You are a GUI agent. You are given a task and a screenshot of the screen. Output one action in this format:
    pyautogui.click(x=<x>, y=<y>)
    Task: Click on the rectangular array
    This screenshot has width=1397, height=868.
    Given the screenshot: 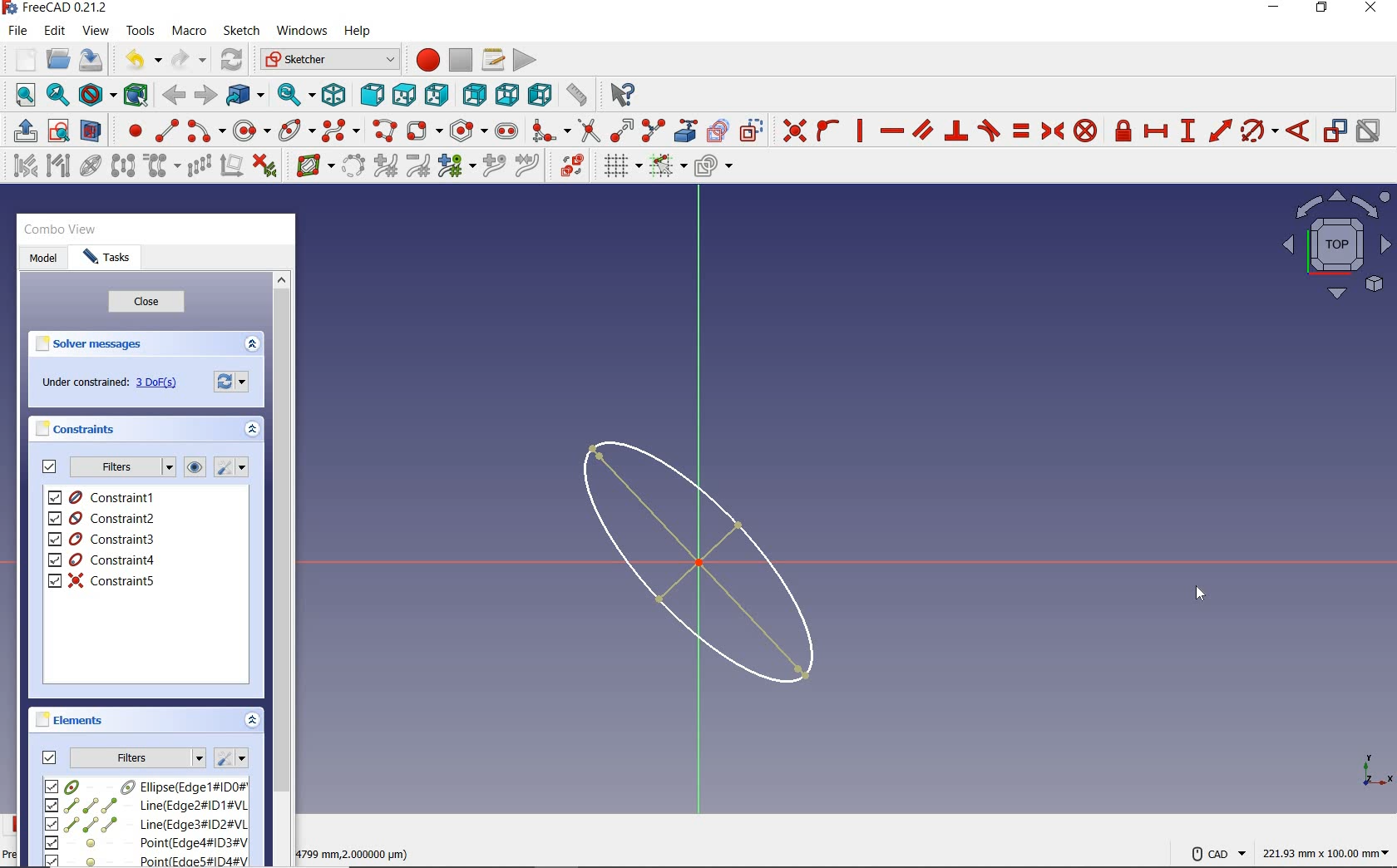 What is the action you would take?
    pyautogui.click(x=199, y=167)
    